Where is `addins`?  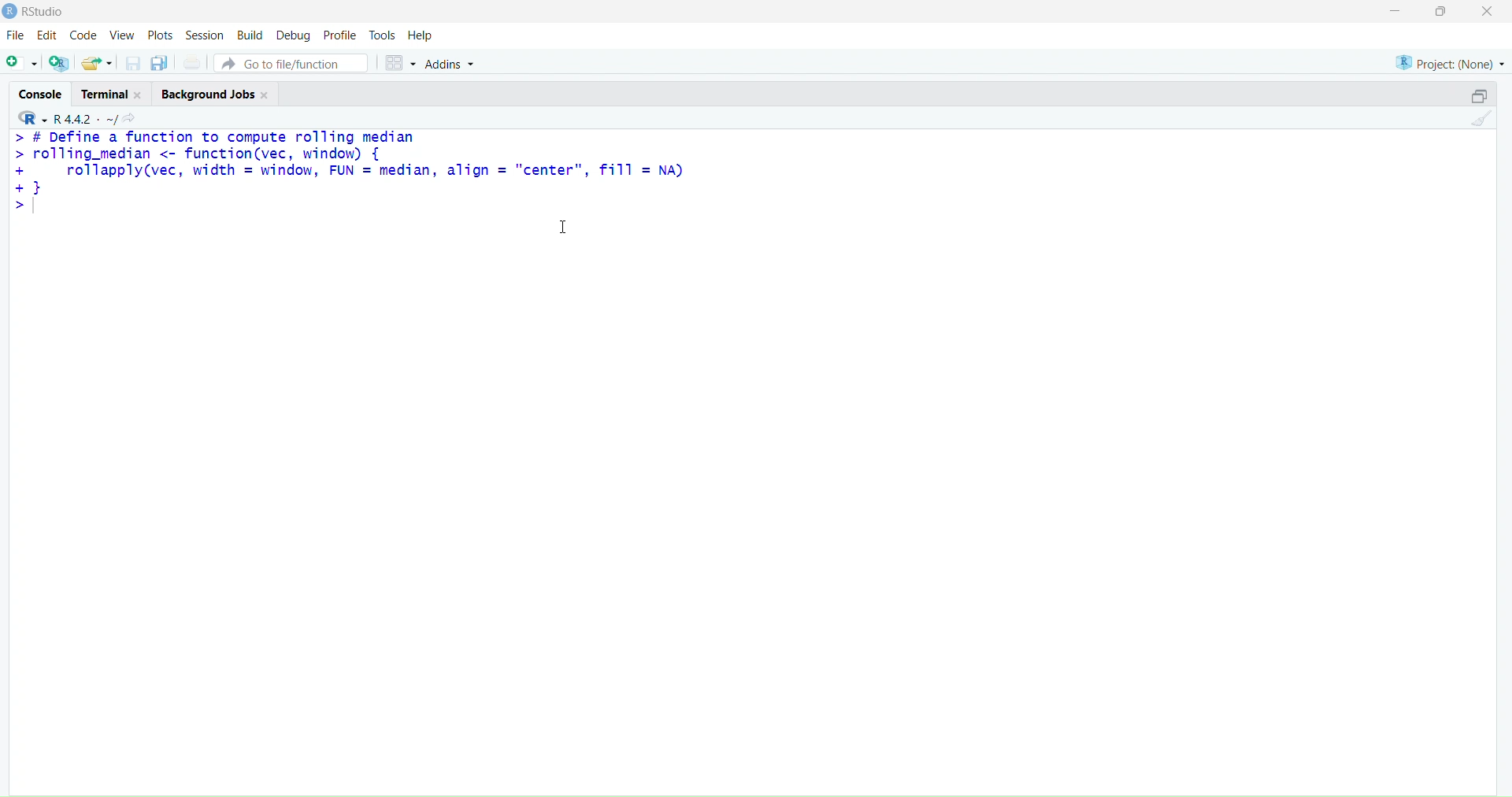 addins is located at coordinates (449, 65).